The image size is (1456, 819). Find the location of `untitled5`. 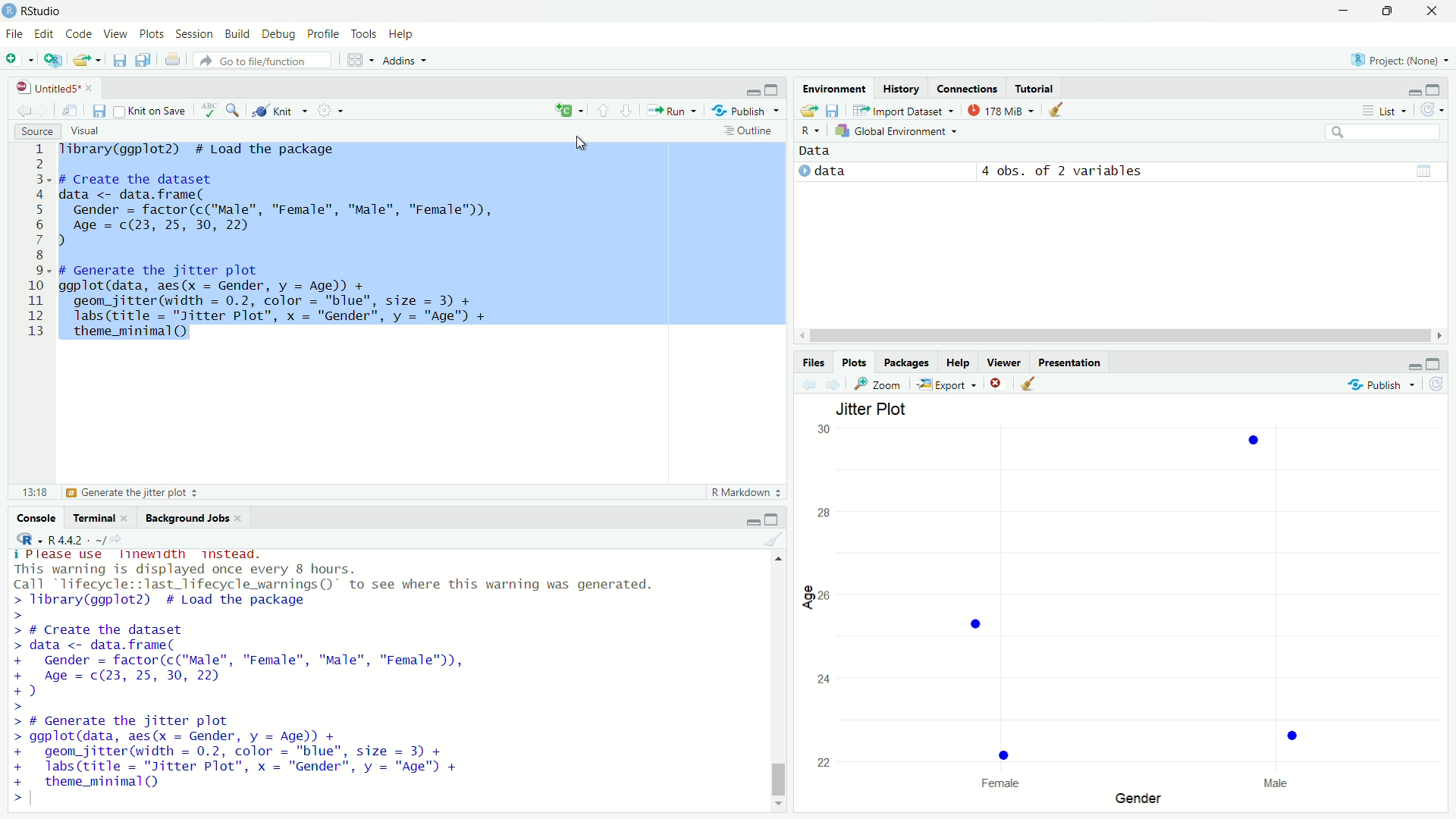

untitled5 is located at coordinates (42, 88).